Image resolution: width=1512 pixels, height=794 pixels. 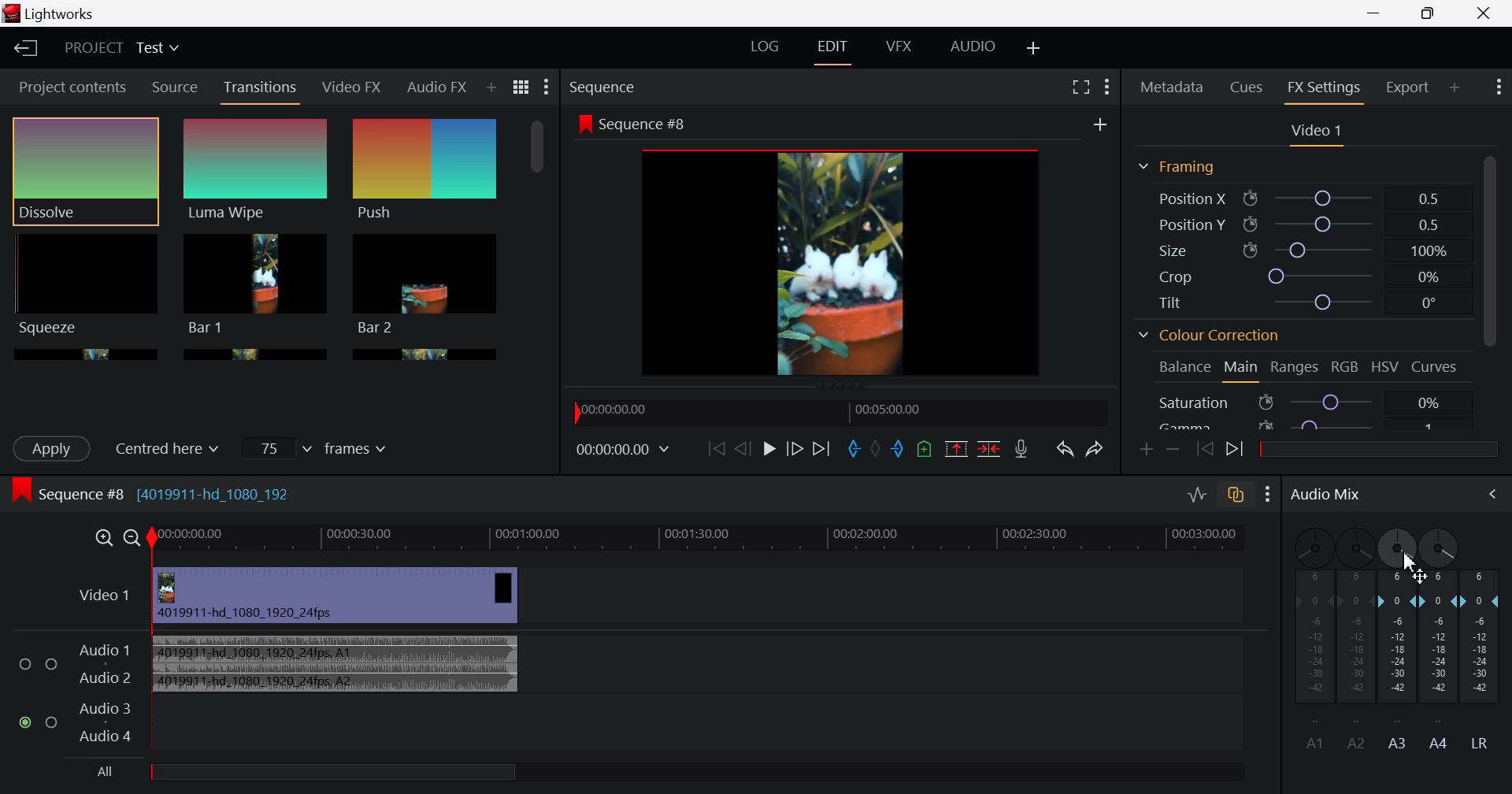 I want to click on Previous keyframe, so click(x=1202, y=447).